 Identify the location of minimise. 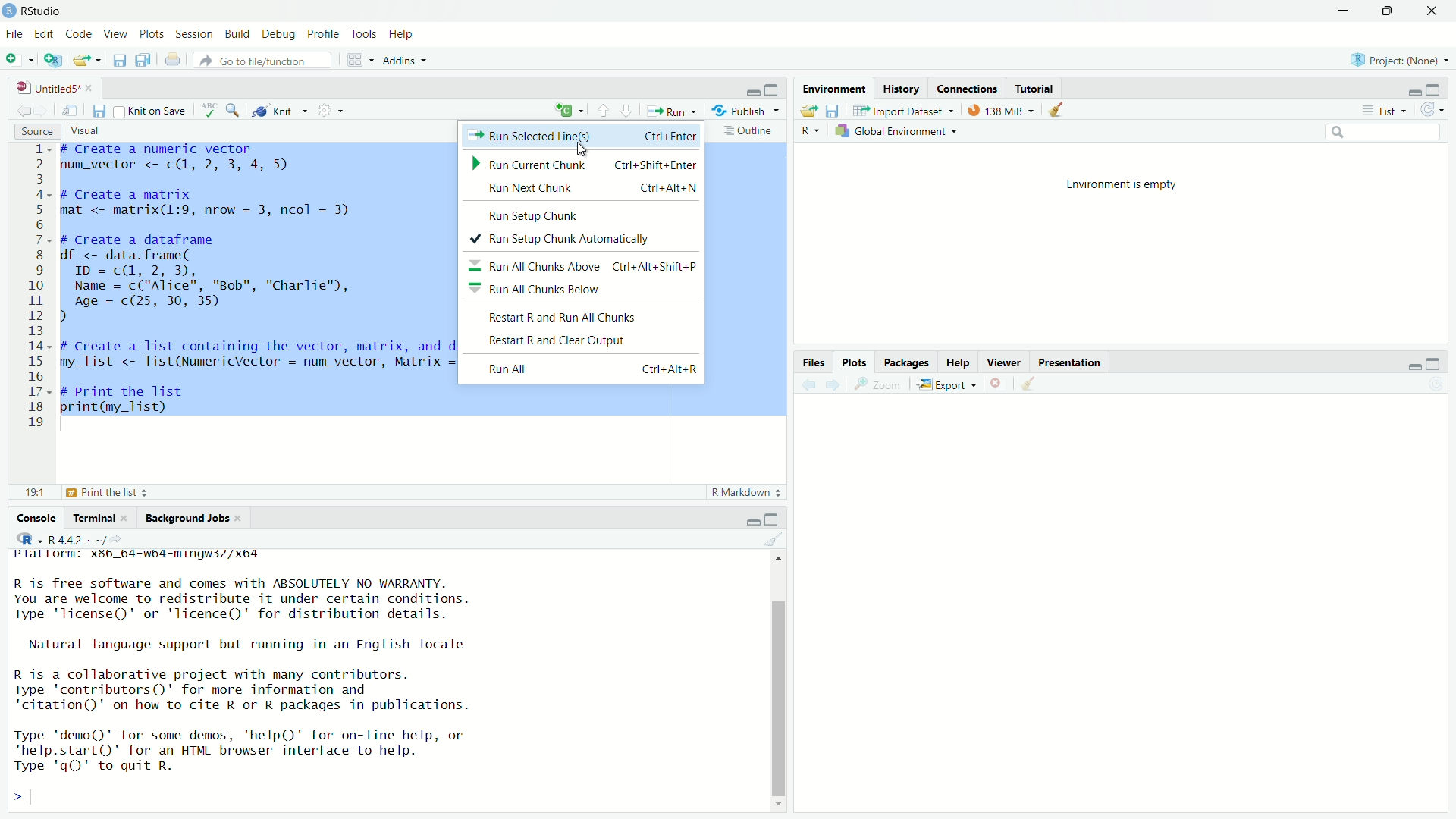
(751, 519).